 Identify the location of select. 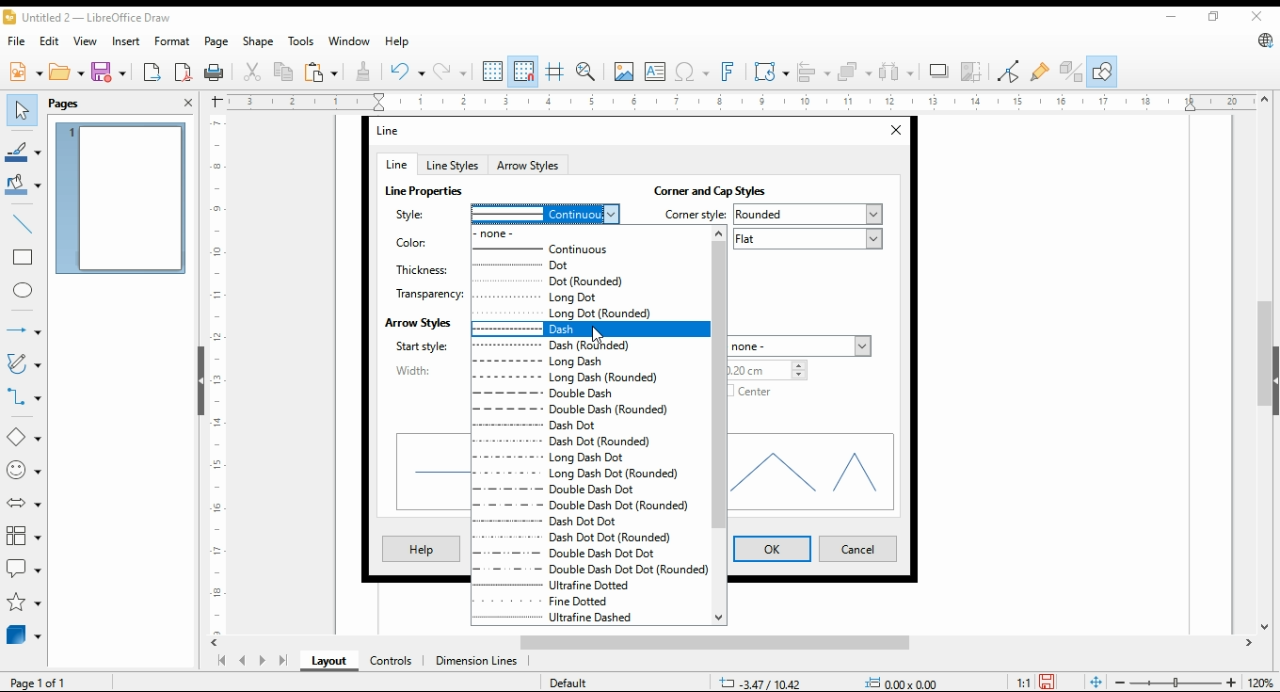
(22, 110).